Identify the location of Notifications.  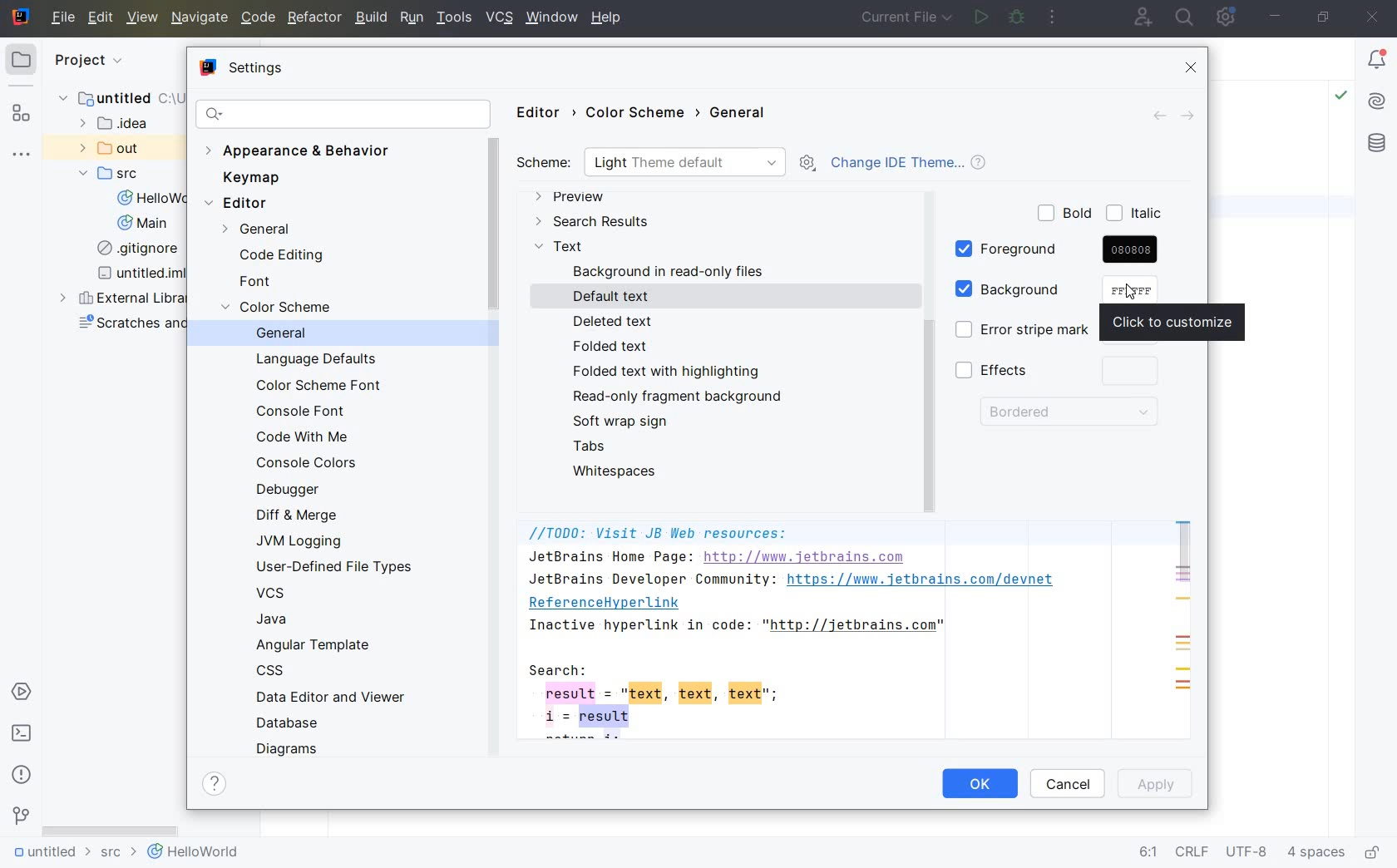
(1378, 61).